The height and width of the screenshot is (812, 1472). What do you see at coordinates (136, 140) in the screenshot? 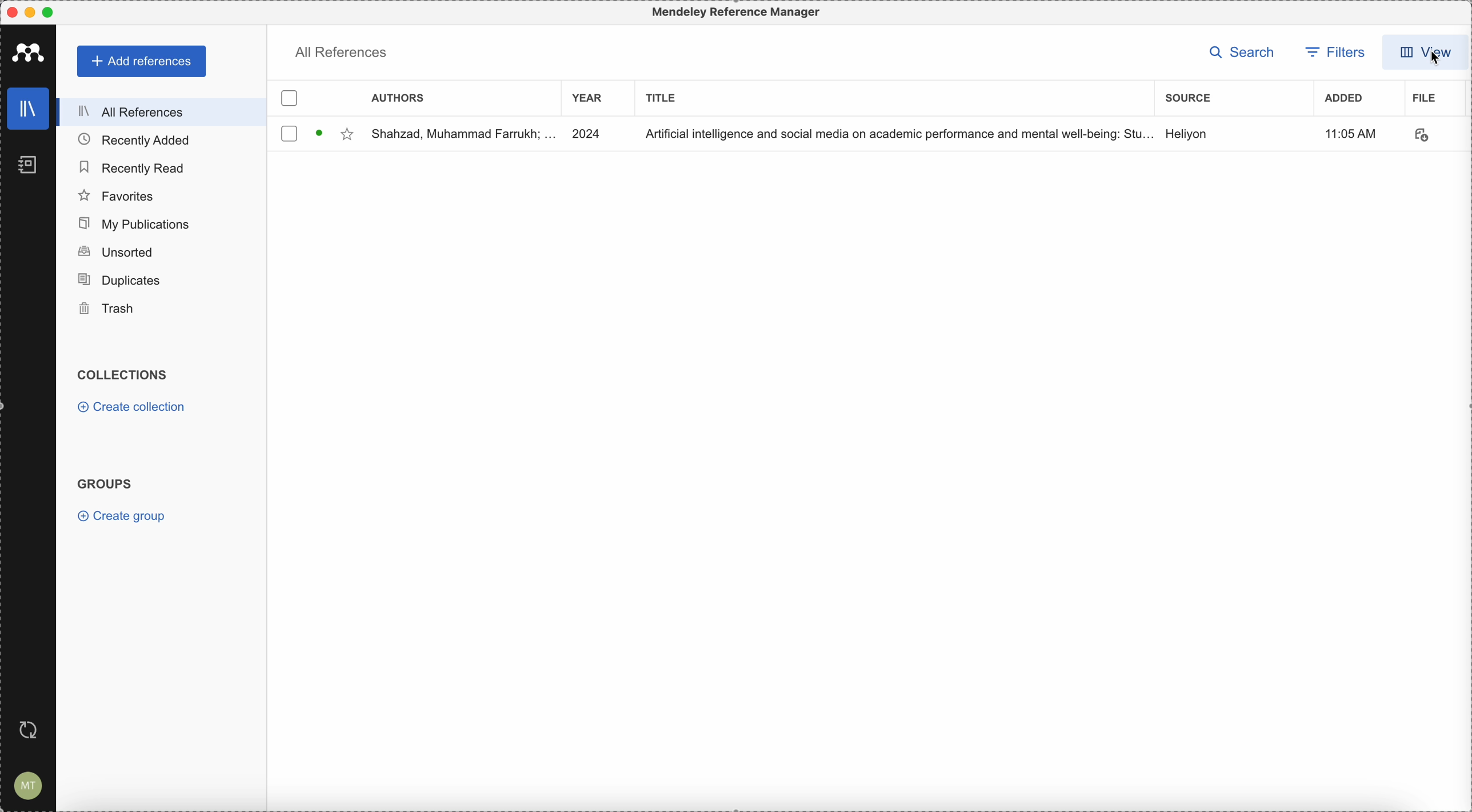
I see `recently added` at bounding box center [136, 140].